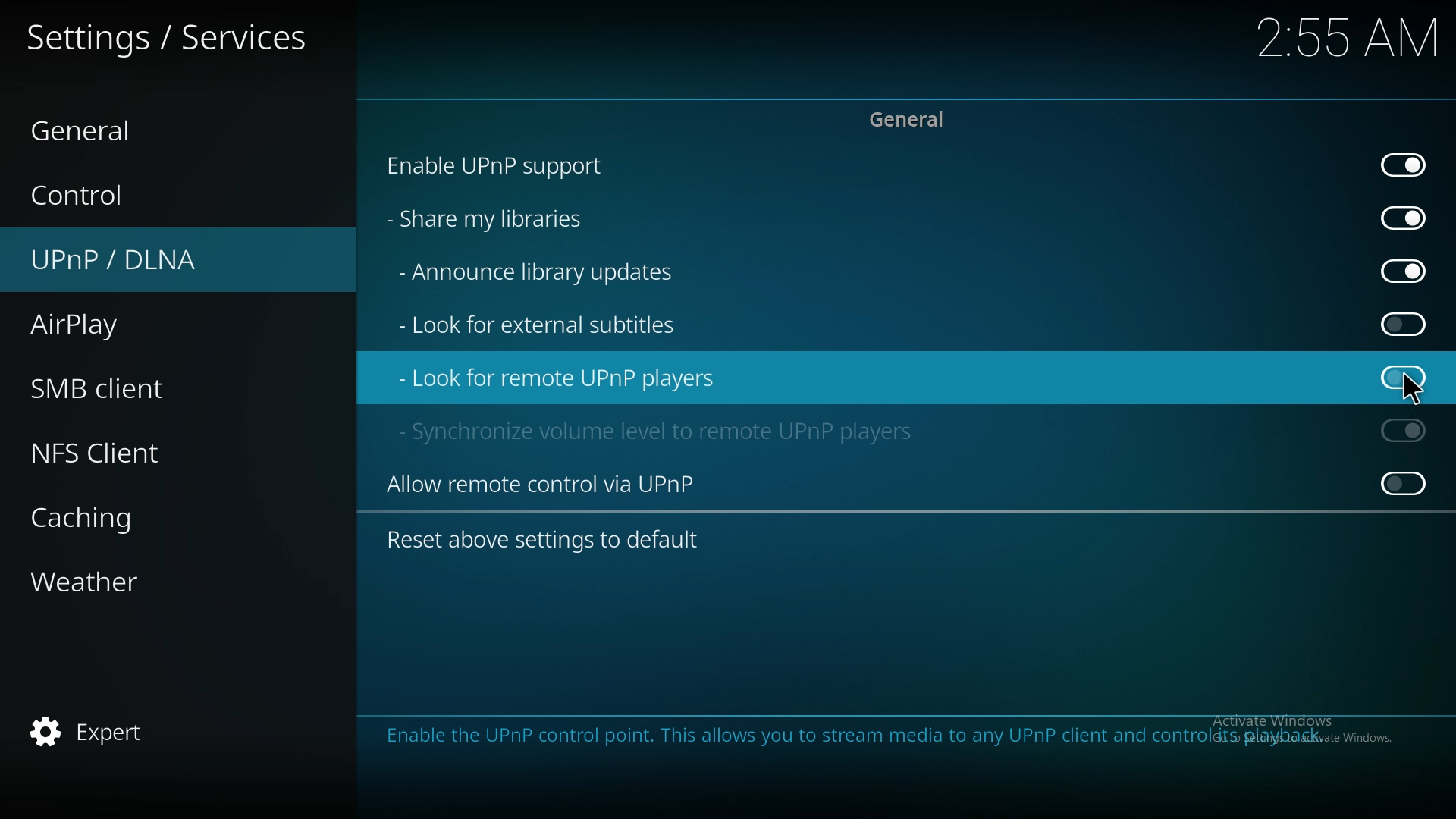  What do you see at coordinates (105, 127) in the screenshot?
I see `general` at bounding box center [105, 127].